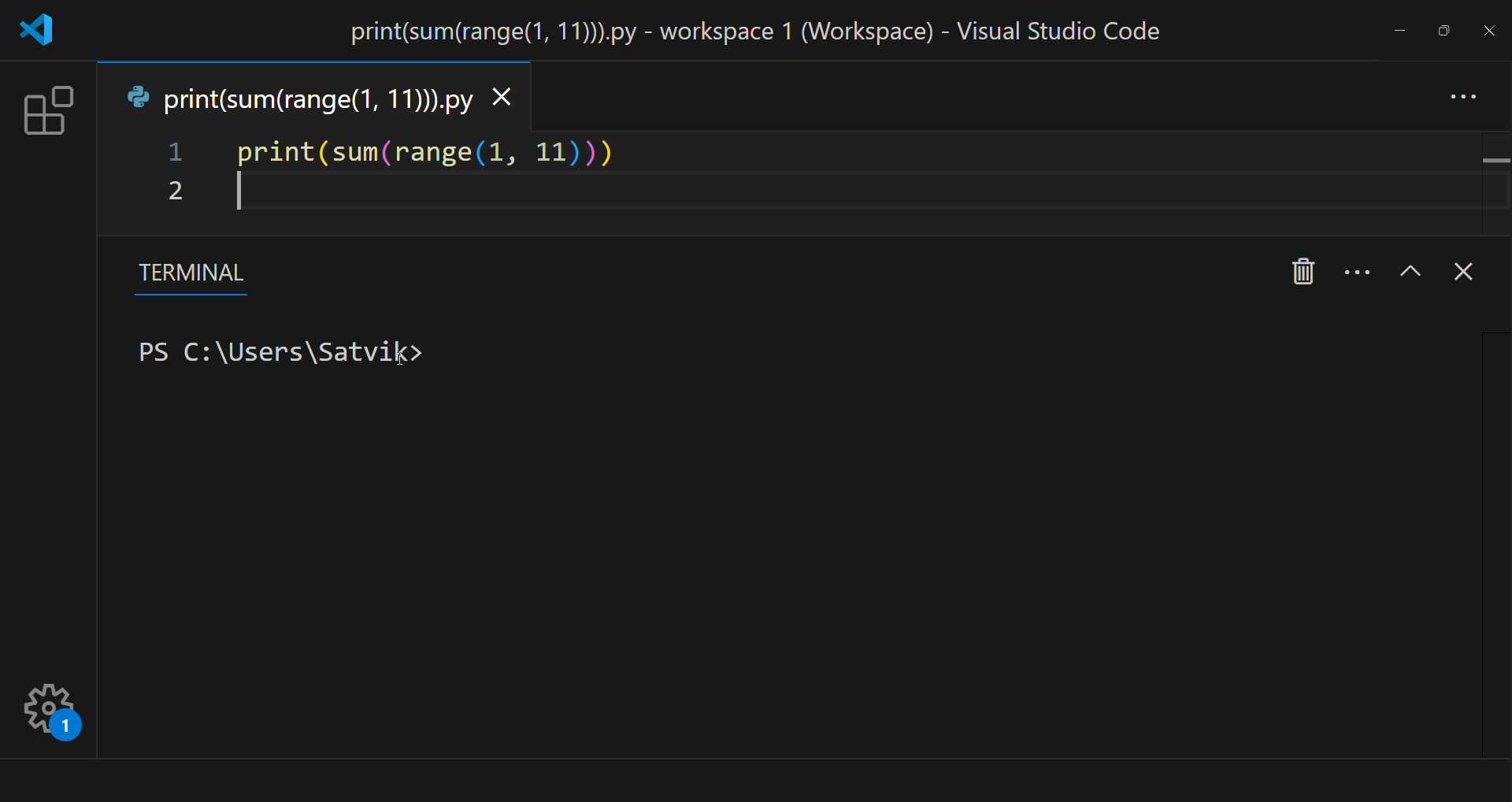 The height and width of the screenshot is (802, 1512). What do you see at coordinates (1358, 269) in the screenshot?
I see `more options` at bounding box center [1358, 269].